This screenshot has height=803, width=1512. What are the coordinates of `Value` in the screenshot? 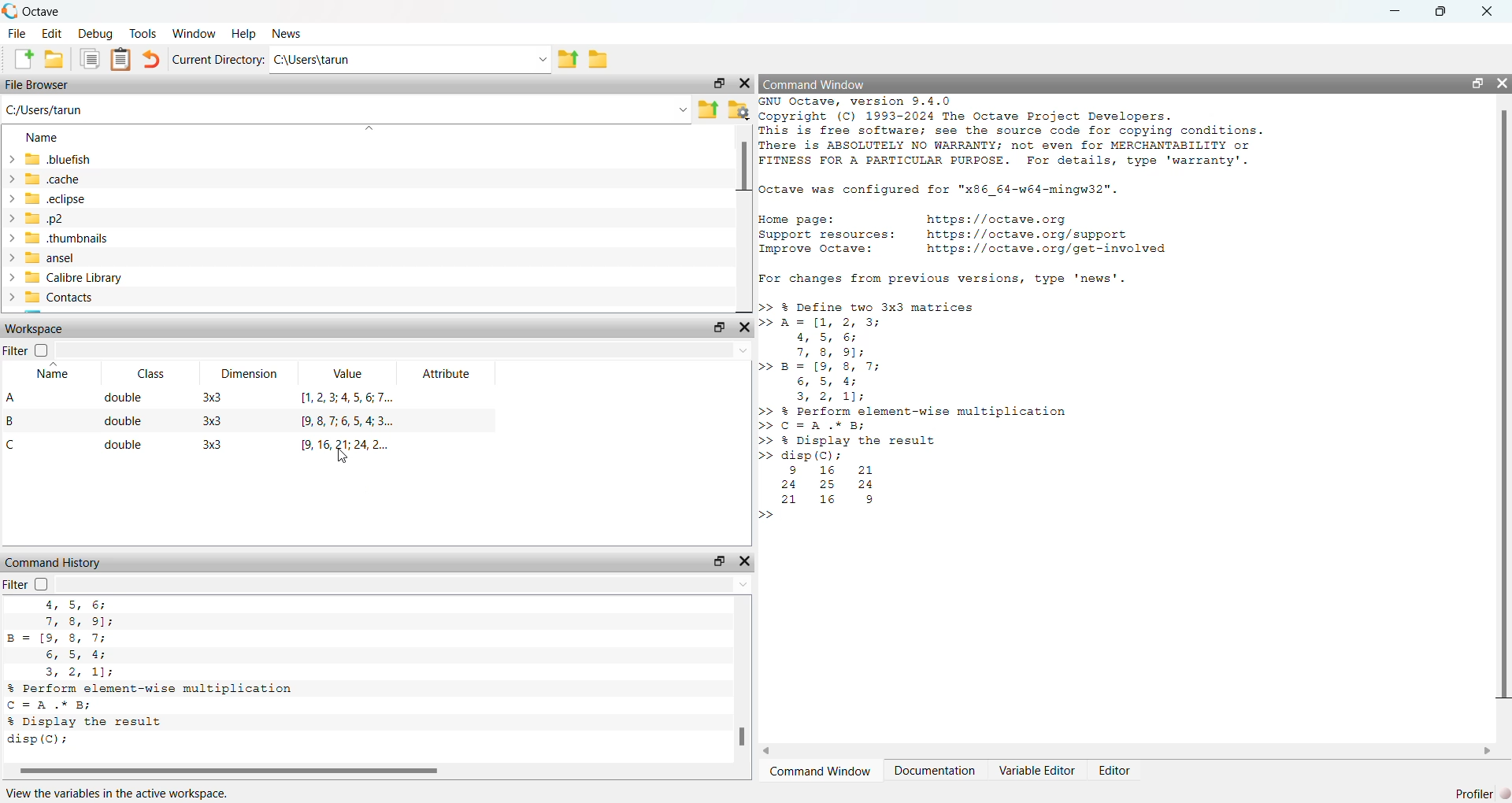 It's located at (348, 372).